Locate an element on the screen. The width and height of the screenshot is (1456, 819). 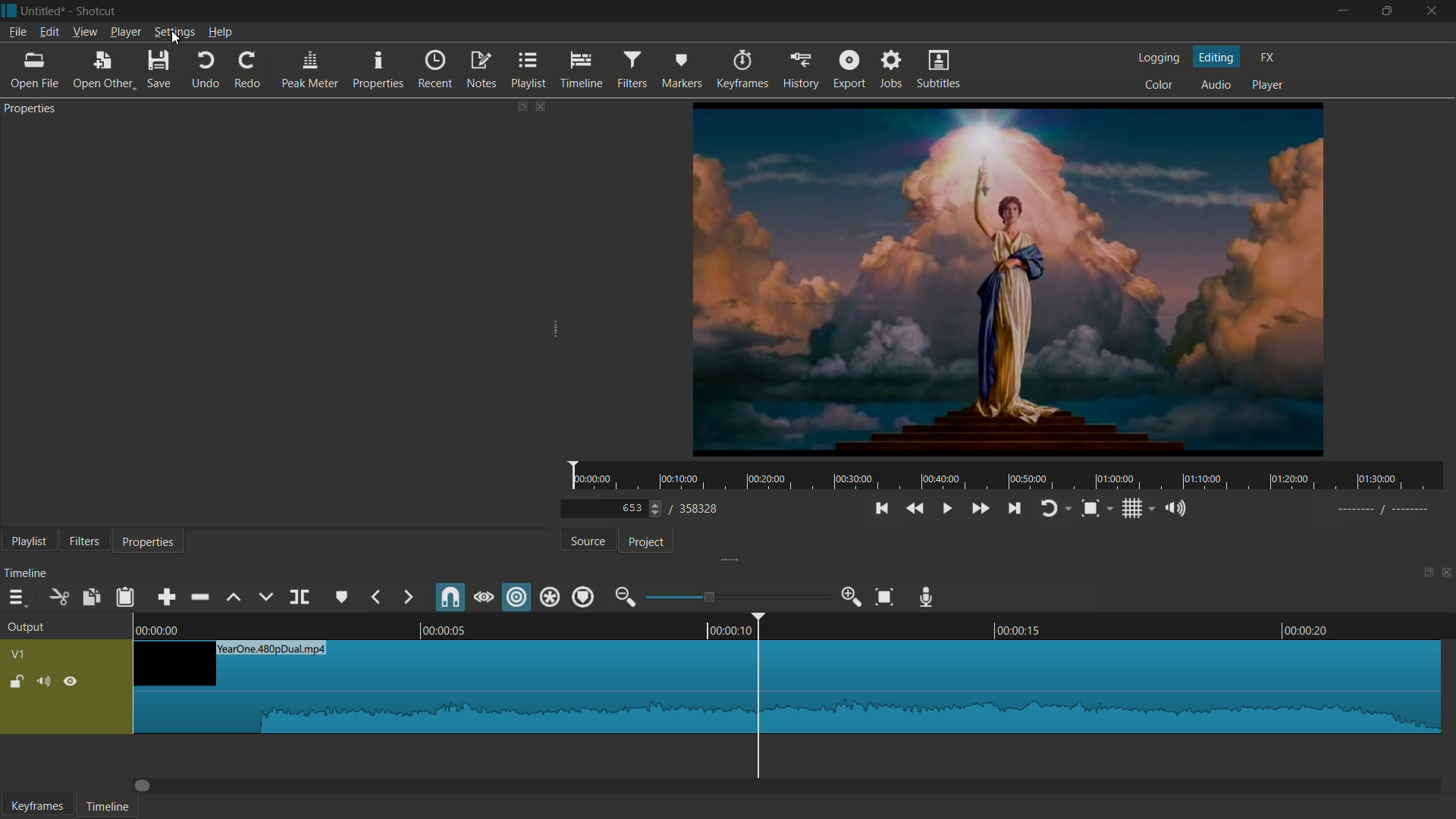
change layout is located at coordinates (1423, 573).